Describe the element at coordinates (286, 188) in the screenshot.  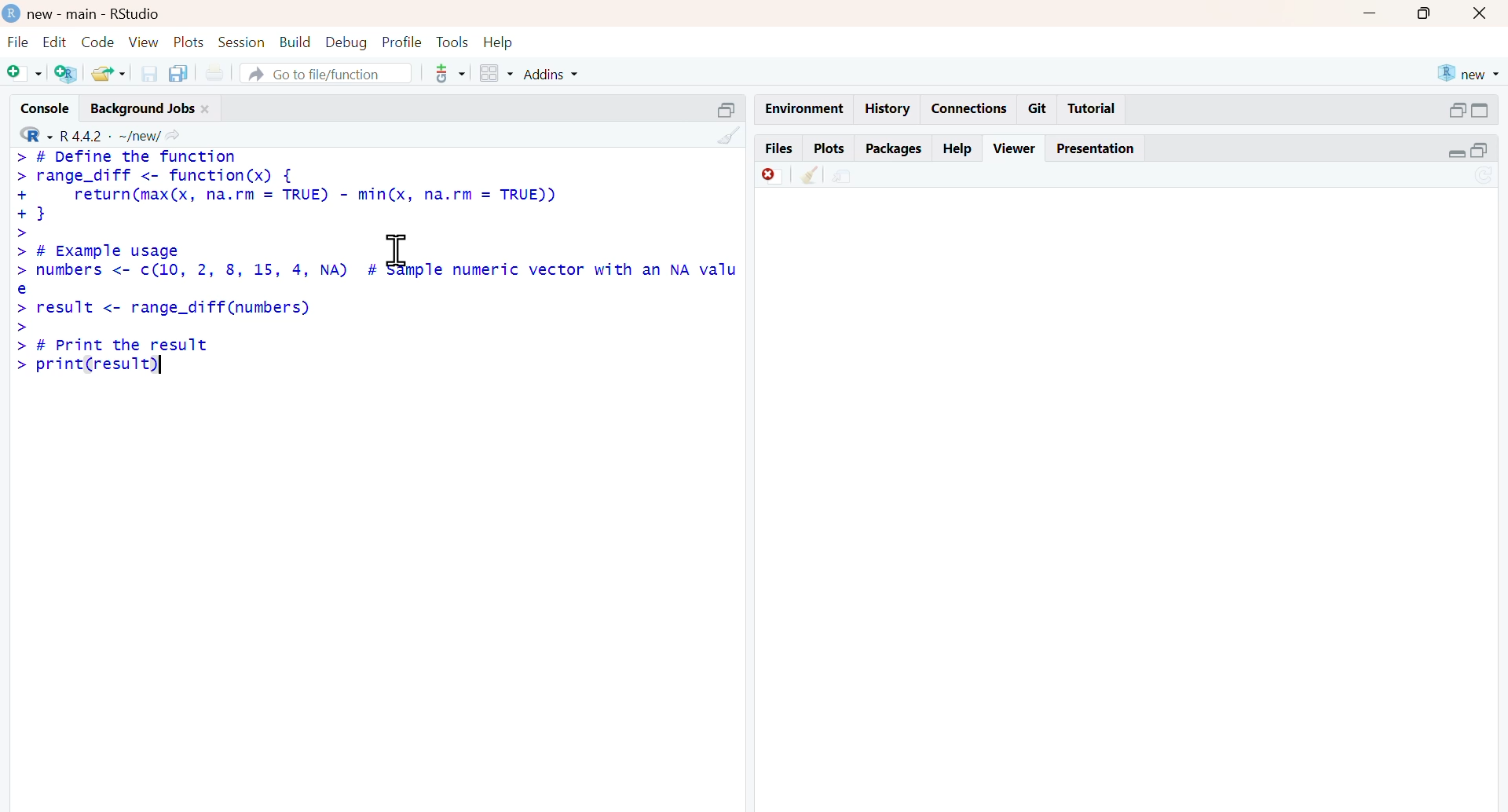
I see `> # Define the function

> range_diff <- function(x) {

+ return(max(x, na.rm = TRUE) - min(x, na.rm = TRUE))
+ }` at that location.